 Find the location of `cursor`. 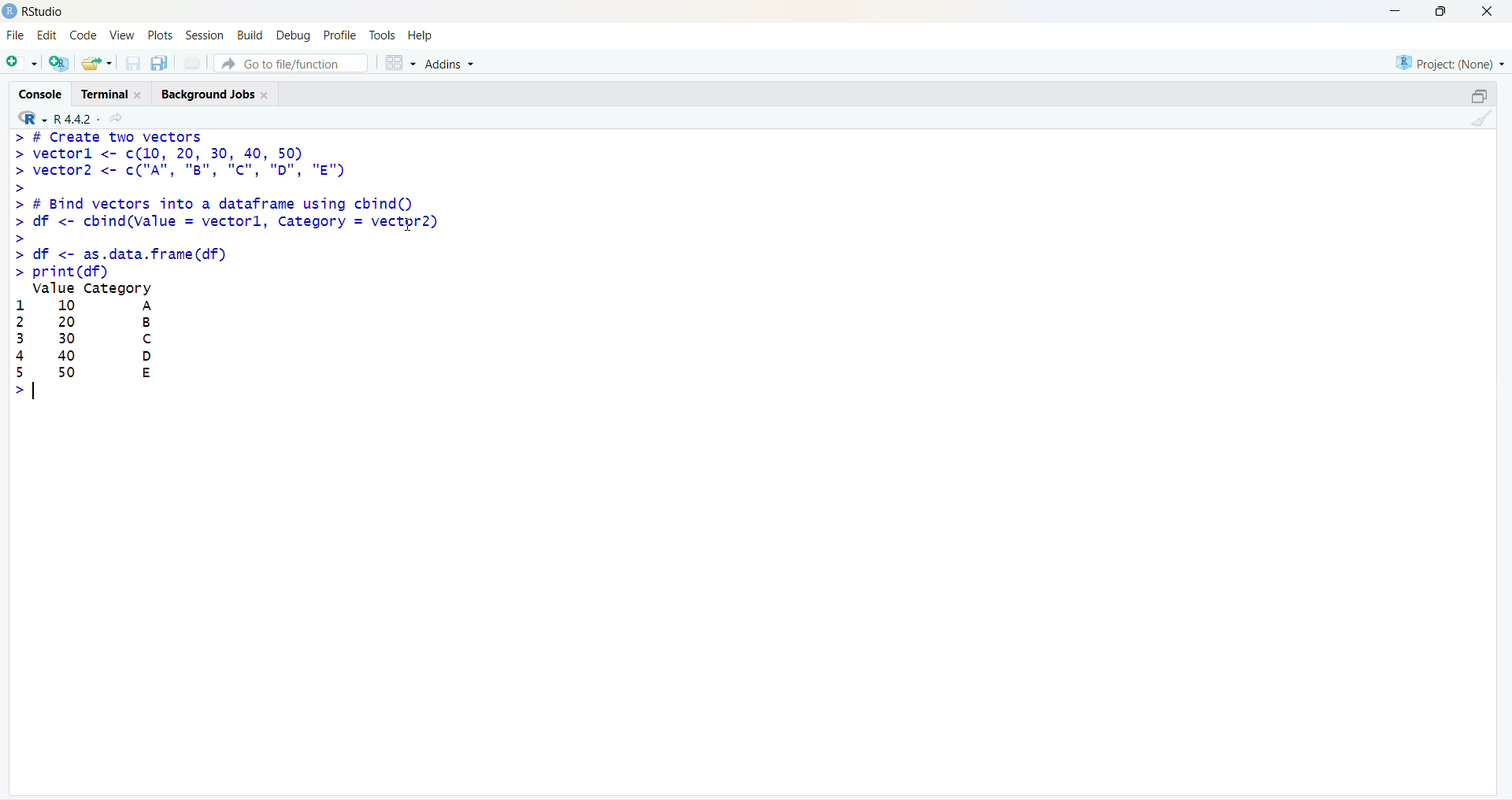

cursor is located at coordinates (409, 224).